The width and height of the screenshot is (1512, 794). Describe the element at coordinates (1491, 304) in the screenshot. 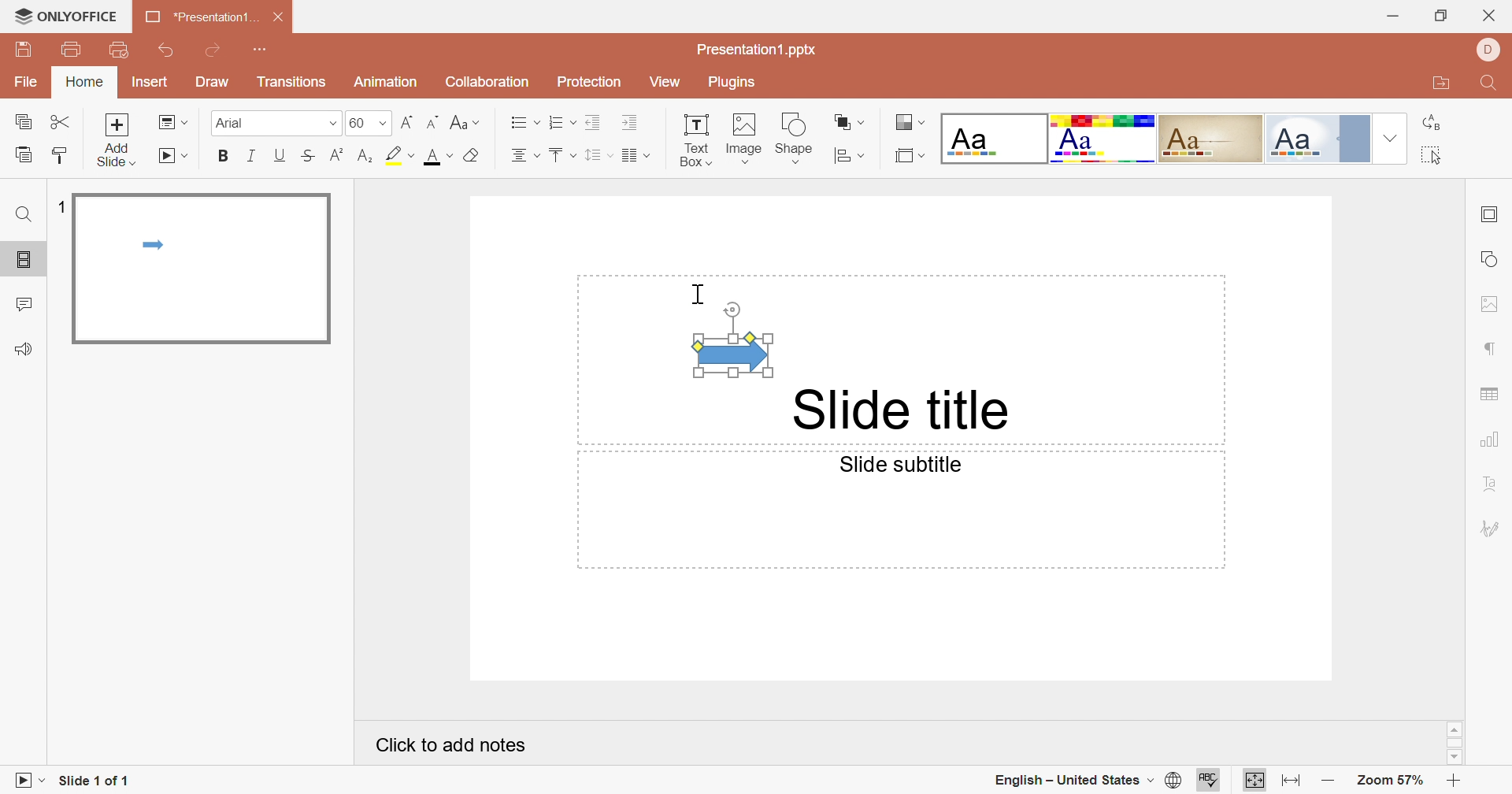

I see `Image settings` at that location.